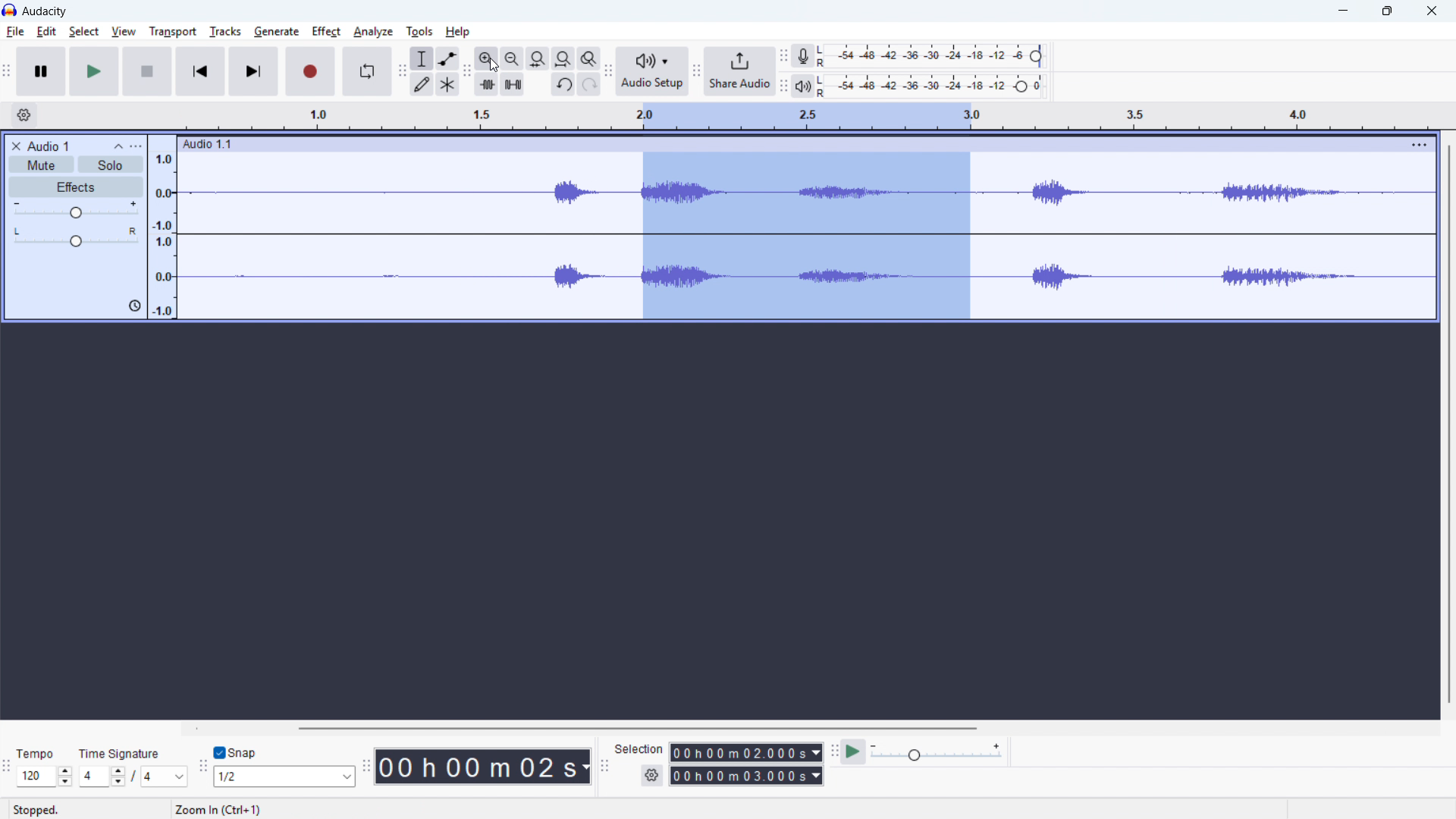  What do you see at coordinates (44, 776) in the screenshot?
I see `Set tempo` at bounding box center [44, 776].